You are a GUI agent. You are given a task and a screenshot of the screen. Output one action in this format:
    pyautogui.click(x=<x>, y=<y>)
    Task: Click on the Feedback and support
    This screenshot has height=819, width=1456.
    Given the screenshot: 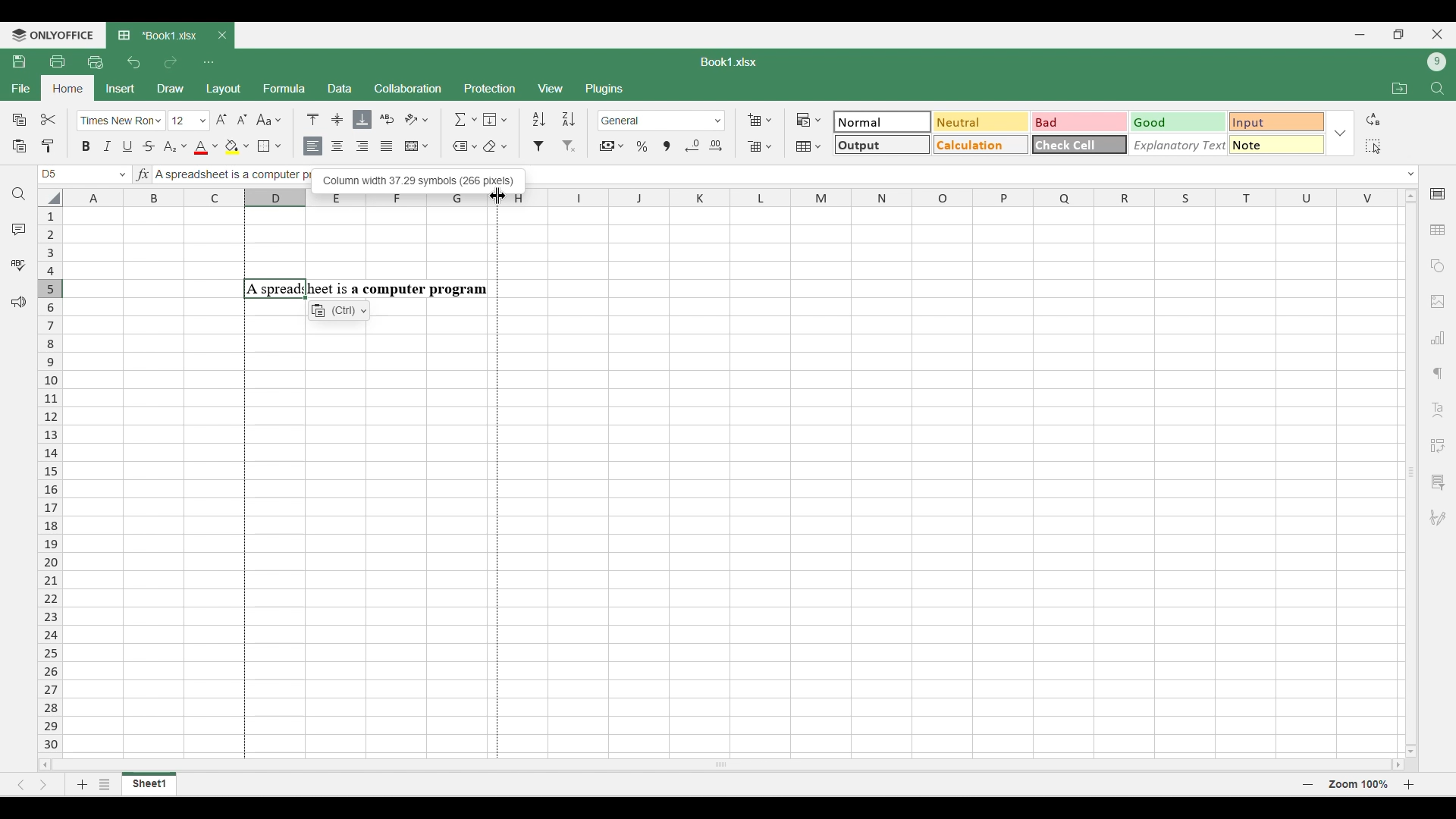 What is the action you would take?
    pyautogui.click(x=19, y=303)
    